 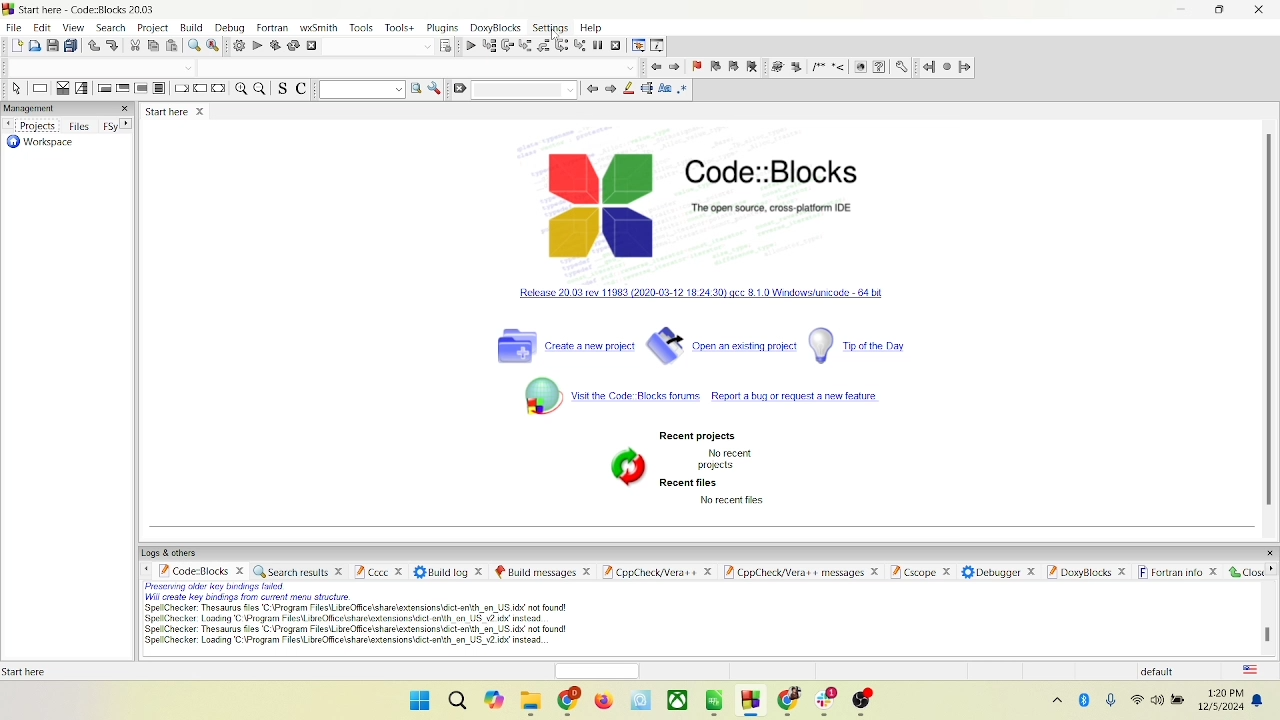 What do you see at coordinates (666, 89) in the screenshot?
I see `case match` at bounding box center [666, 89].